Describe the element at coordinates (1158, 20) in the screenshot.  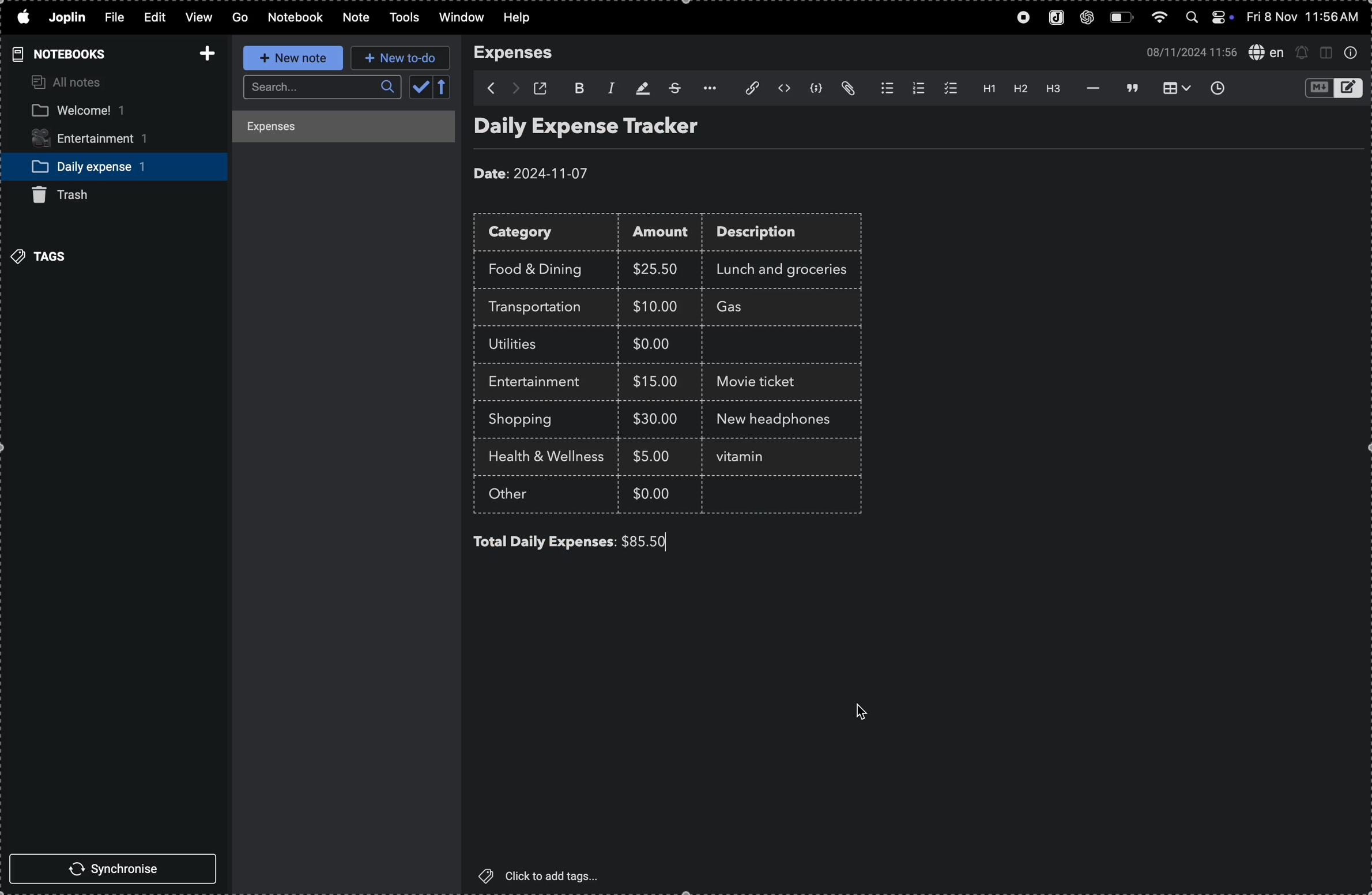
I see `wifi` at that location.